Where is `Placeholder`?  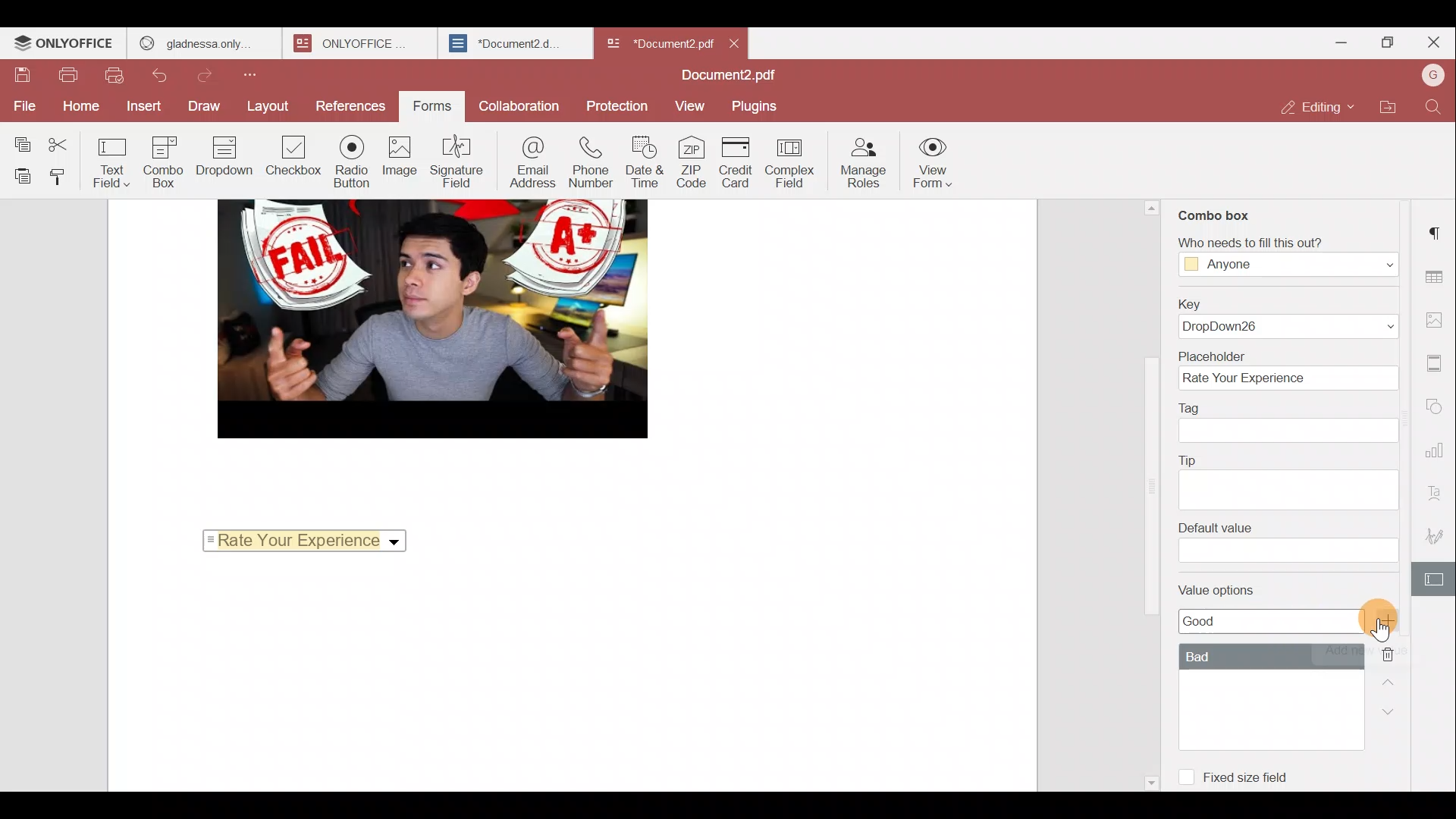 Placeholder is located at coordinates (1286, 369).